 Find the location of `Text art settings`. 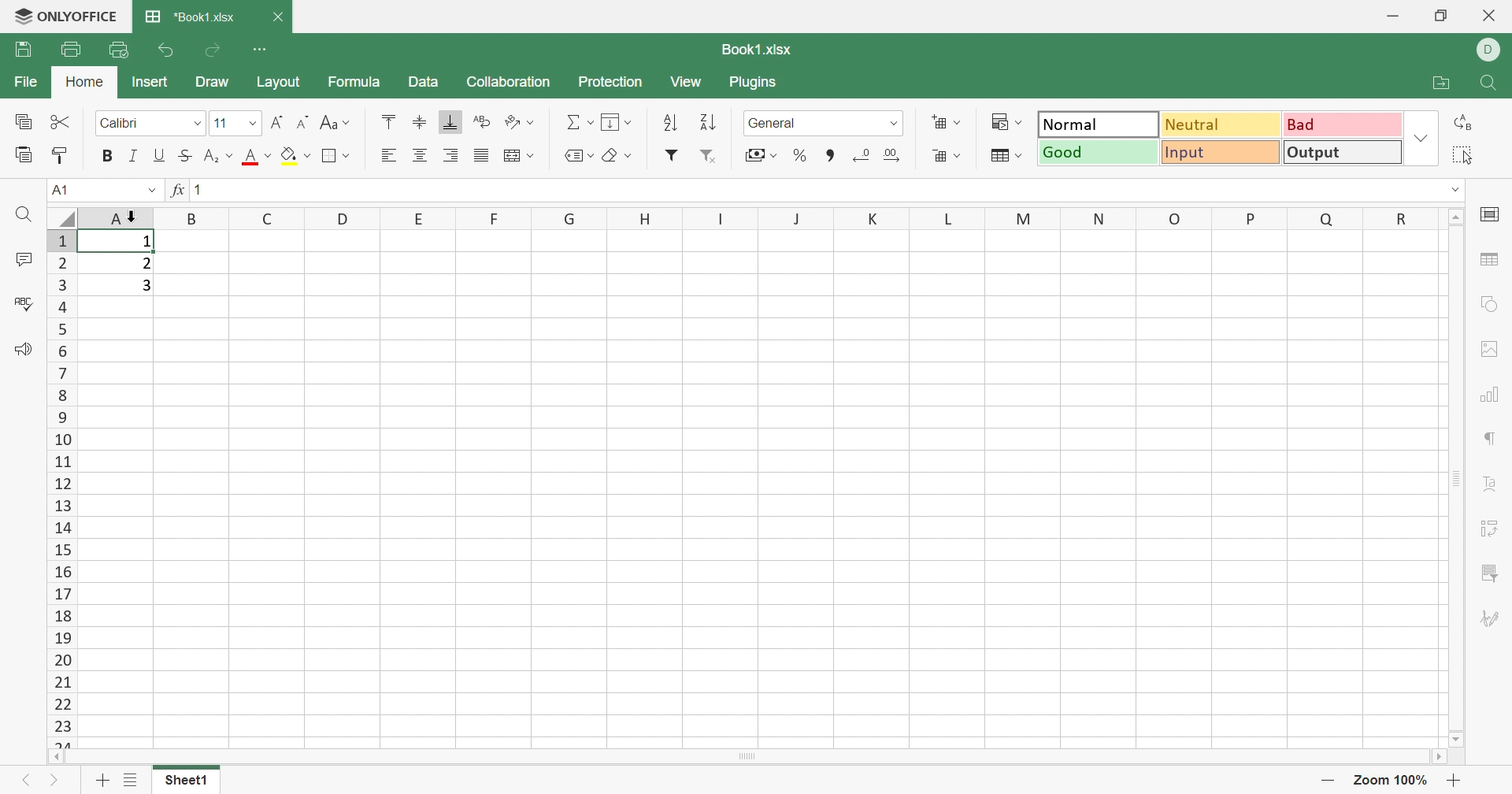

Text art settings is located at coordinates (1493, 484).